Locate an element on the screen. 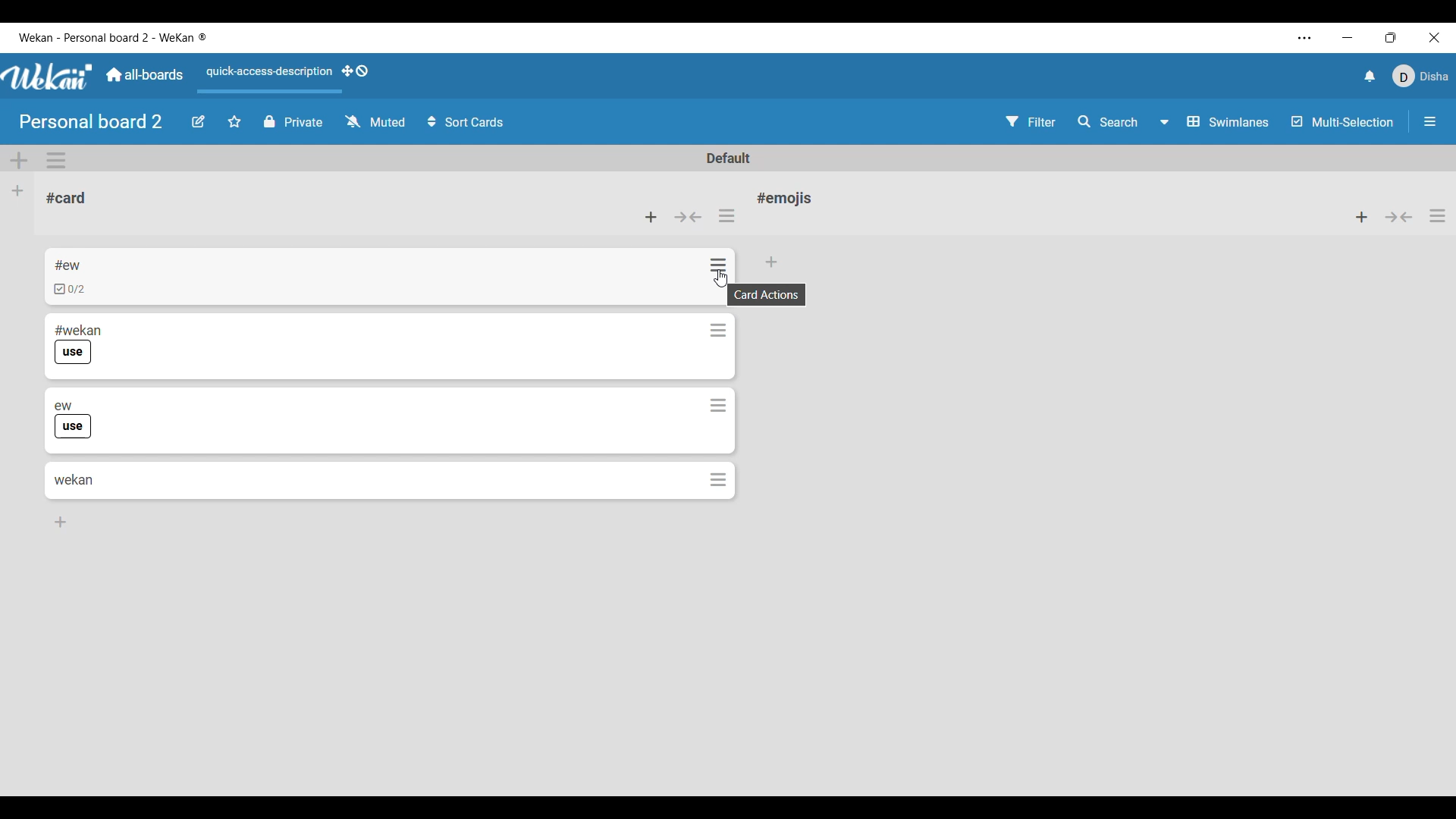  Show desktop drag handles is located at coordinates (355, 71).